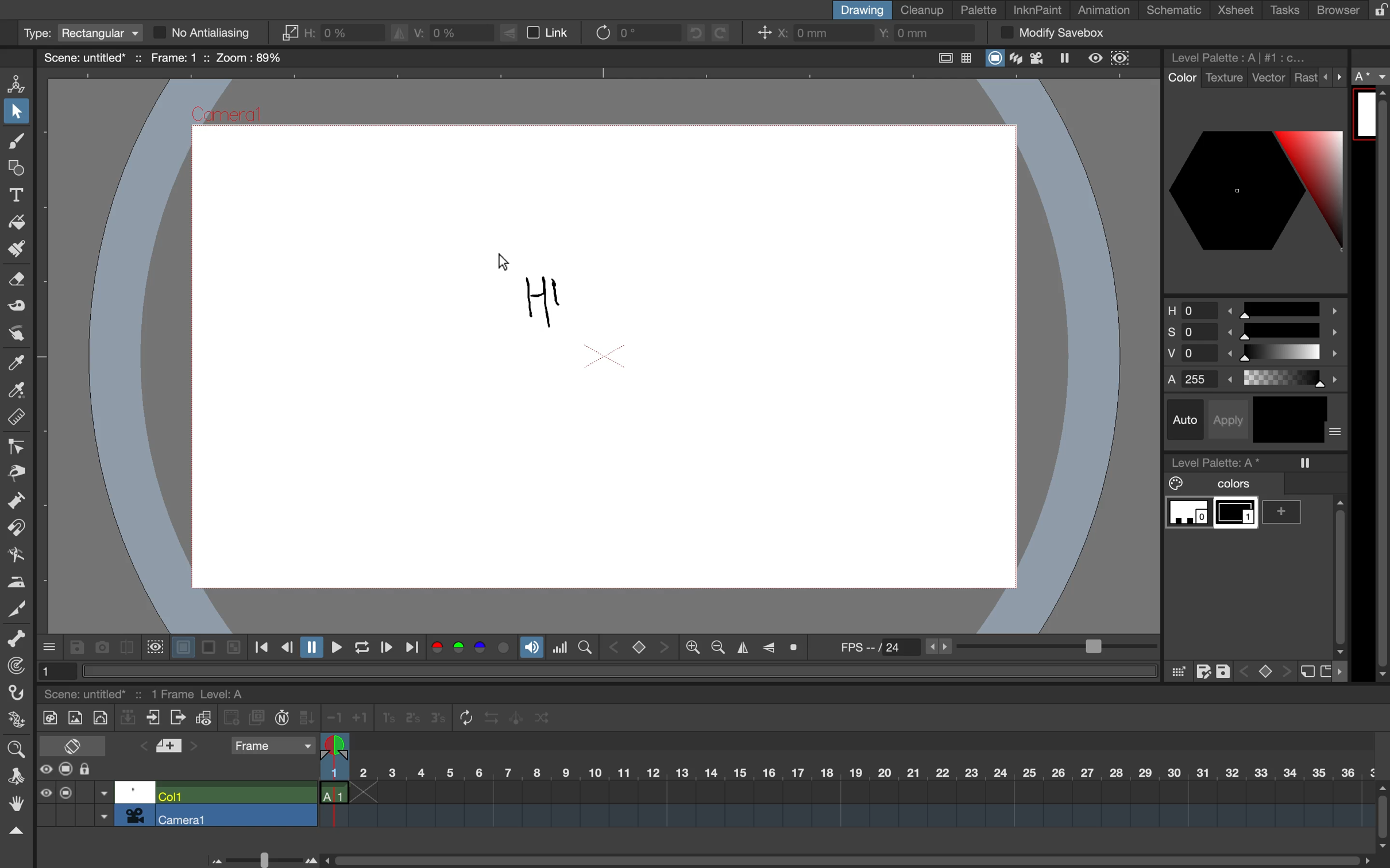 This screenshot has height=868, width=1390. What do you see at coordinates (1223, 78) in the screenshot?
I see `texture` at bounding box center [1223, 78].